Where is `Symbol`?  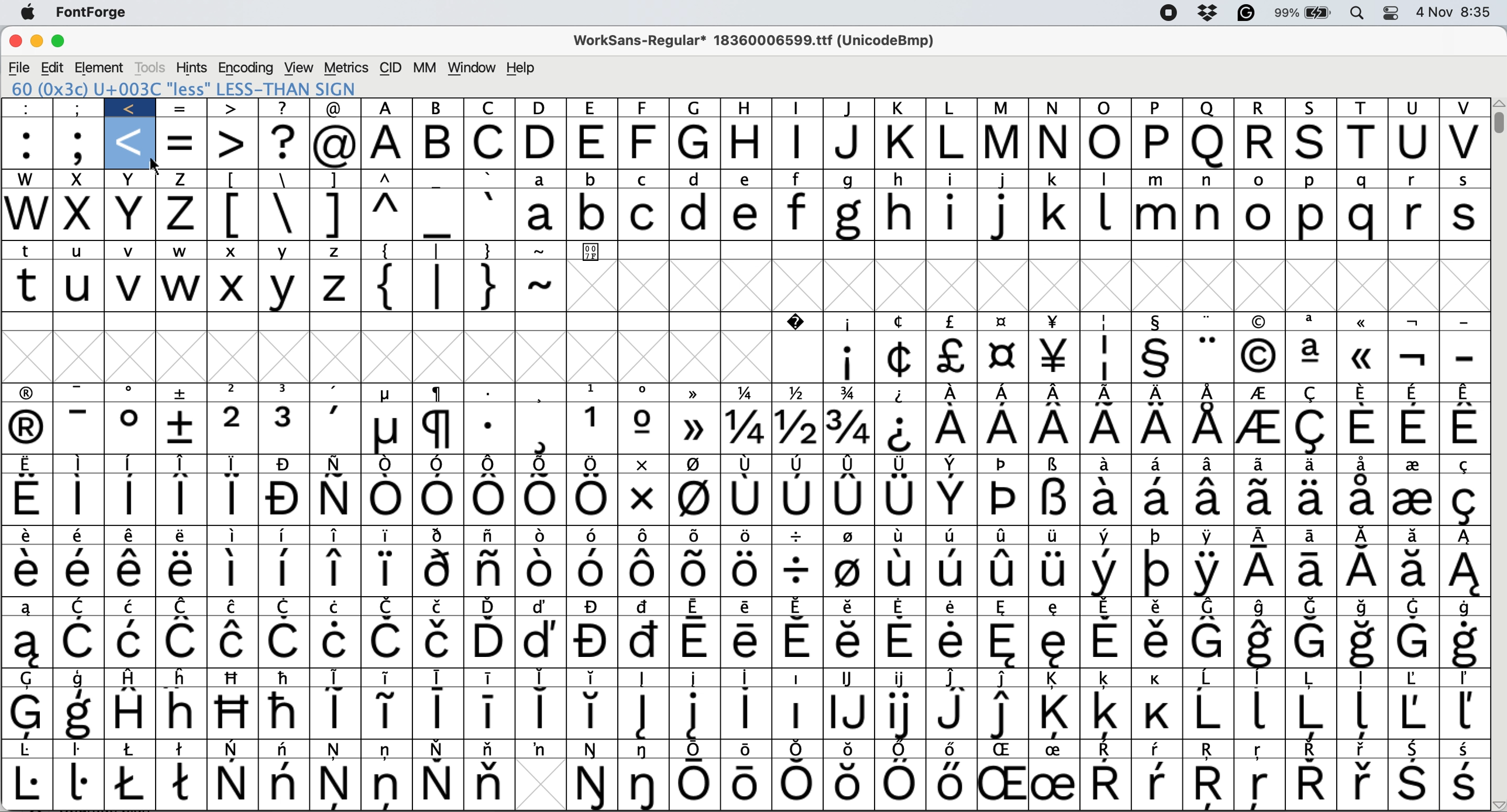
Symbol is located at coordinates (1416, 535).